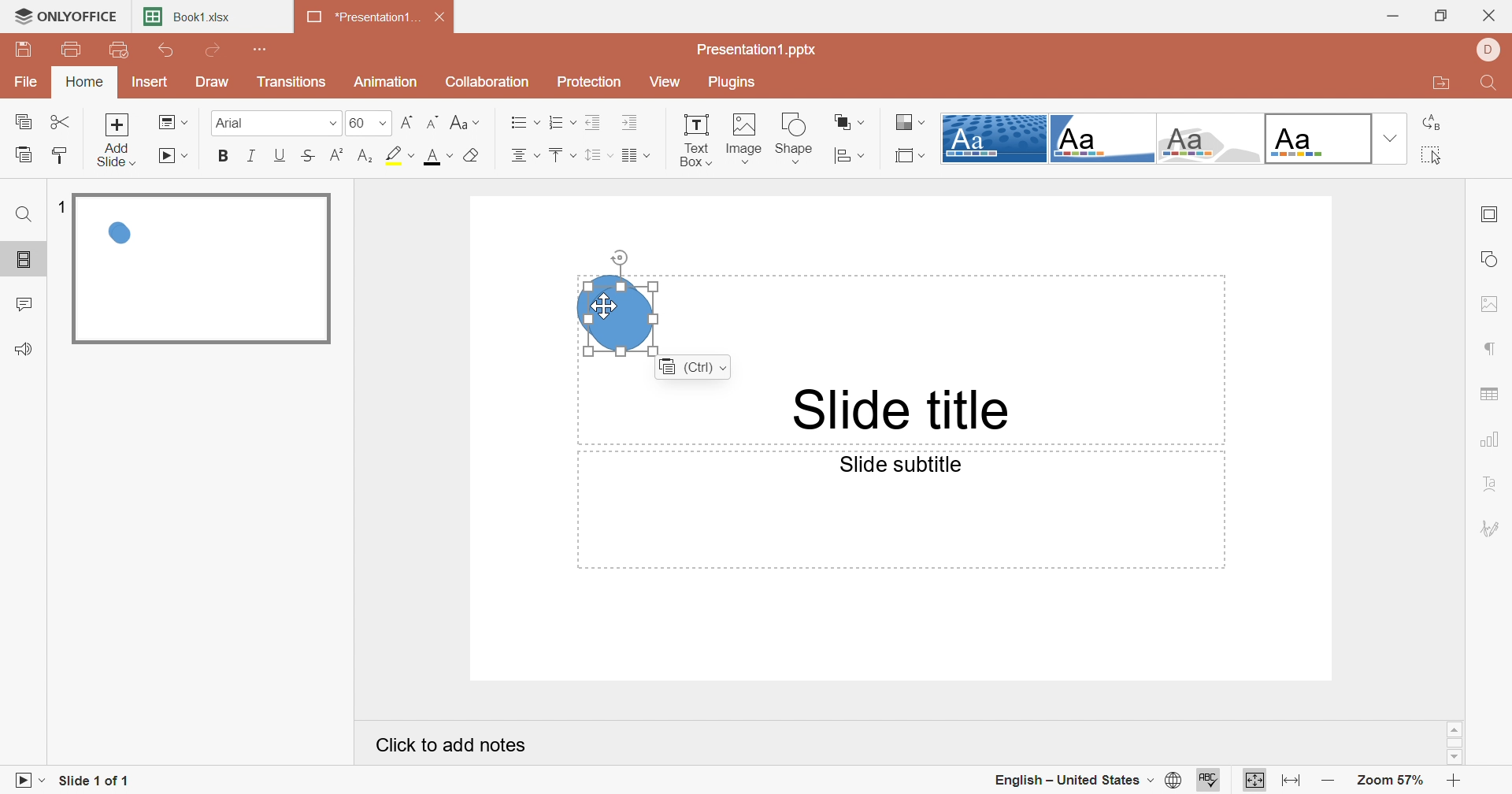 The height and width of the screenshot is (794, 1512). What do you see at coordinates (487, 80) in the screenshot?
I see `Collaboration` at bounding box center [487, 80].